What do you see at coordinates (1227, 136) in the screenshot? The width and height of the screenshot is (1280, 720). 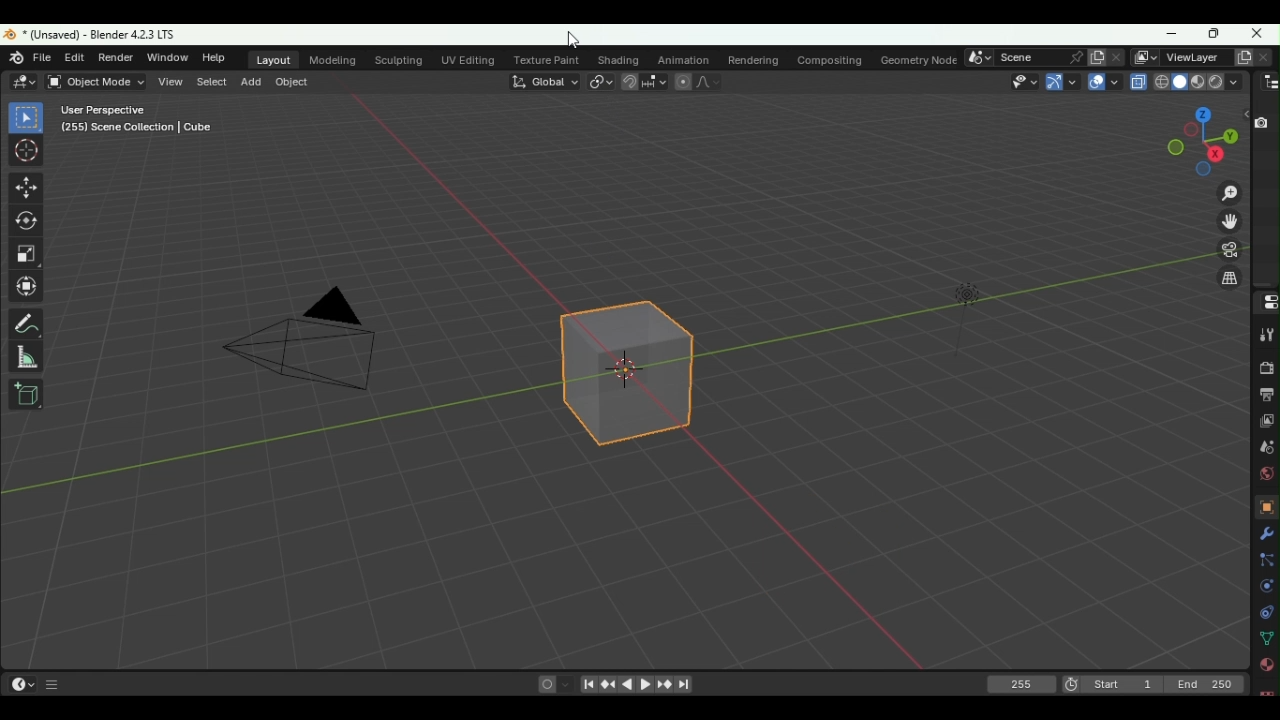 I see `Rotate the view` at bounding box center [1227, 136].